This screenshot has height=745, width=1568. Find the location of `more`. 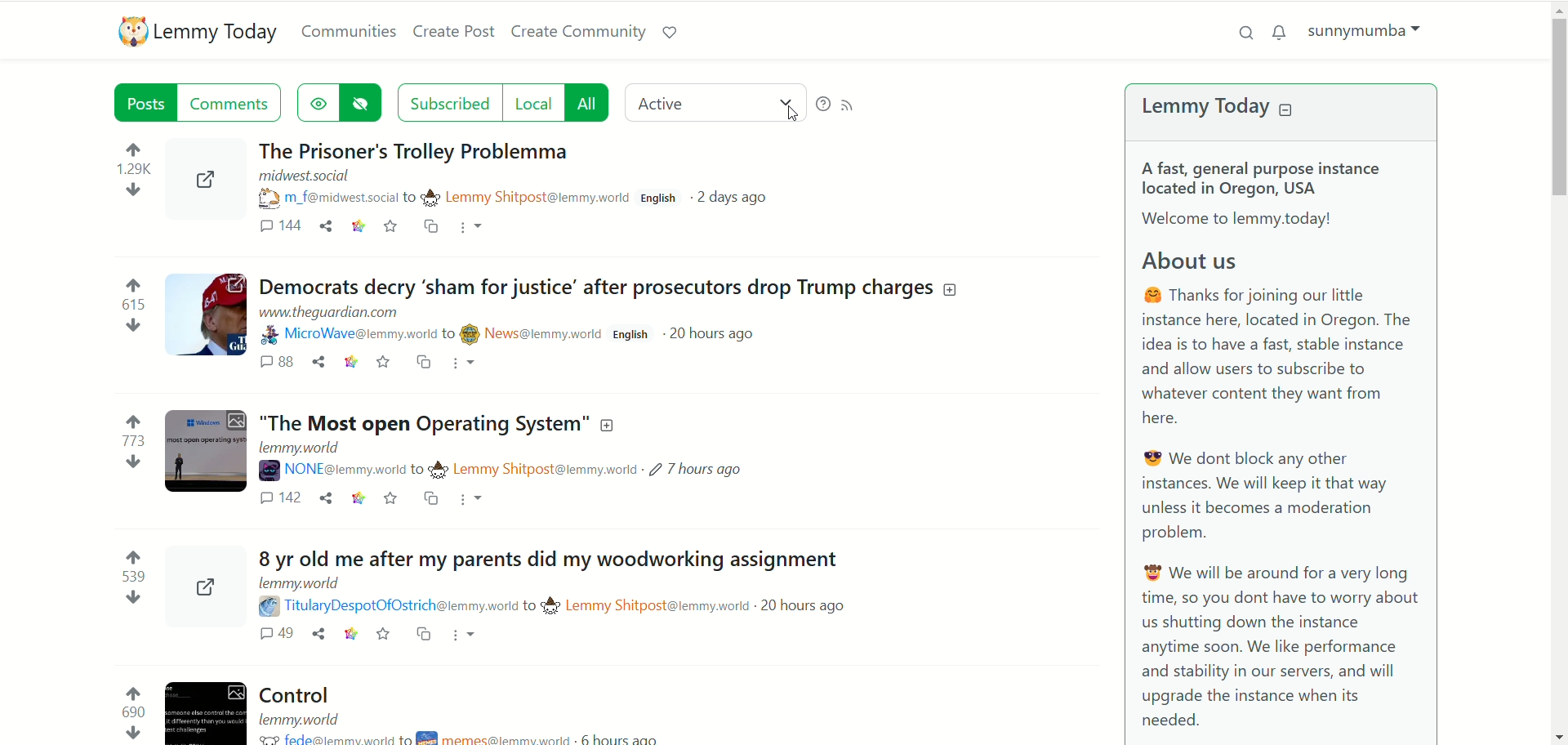

more is located at coordinates (474, 229).